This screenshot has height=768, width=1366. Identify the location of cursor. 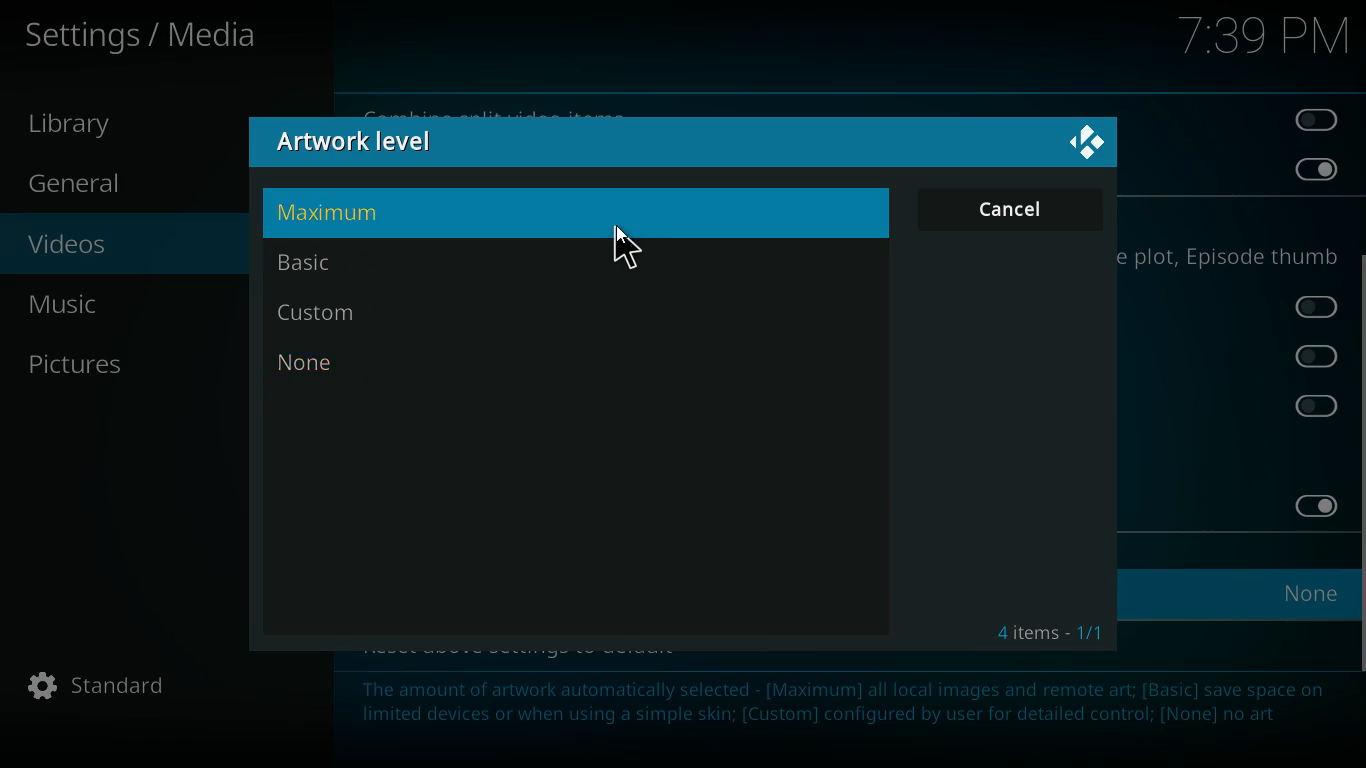
(627, 250).